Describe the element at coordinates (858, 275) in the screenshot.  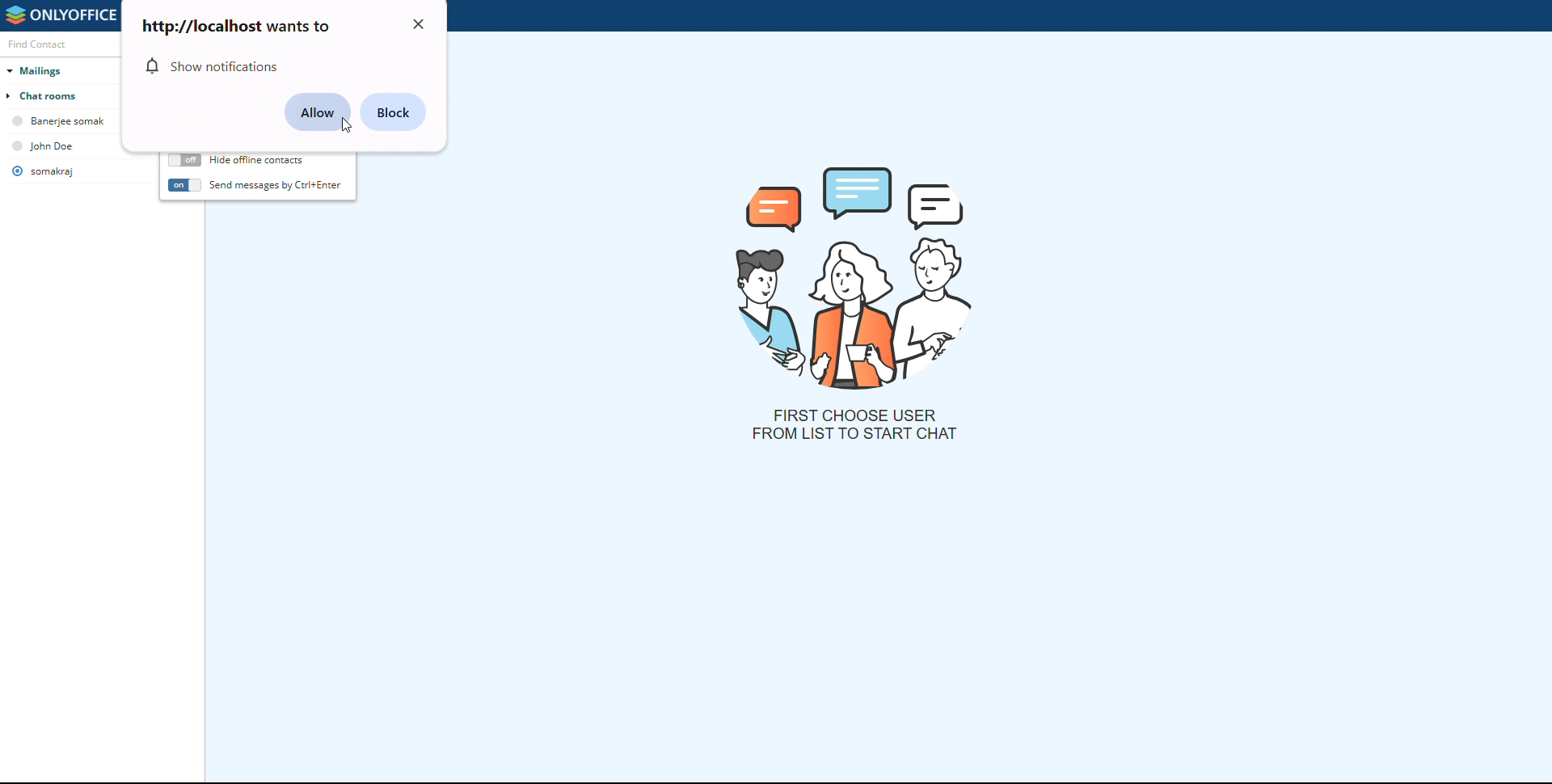
I see `picture` at that location.